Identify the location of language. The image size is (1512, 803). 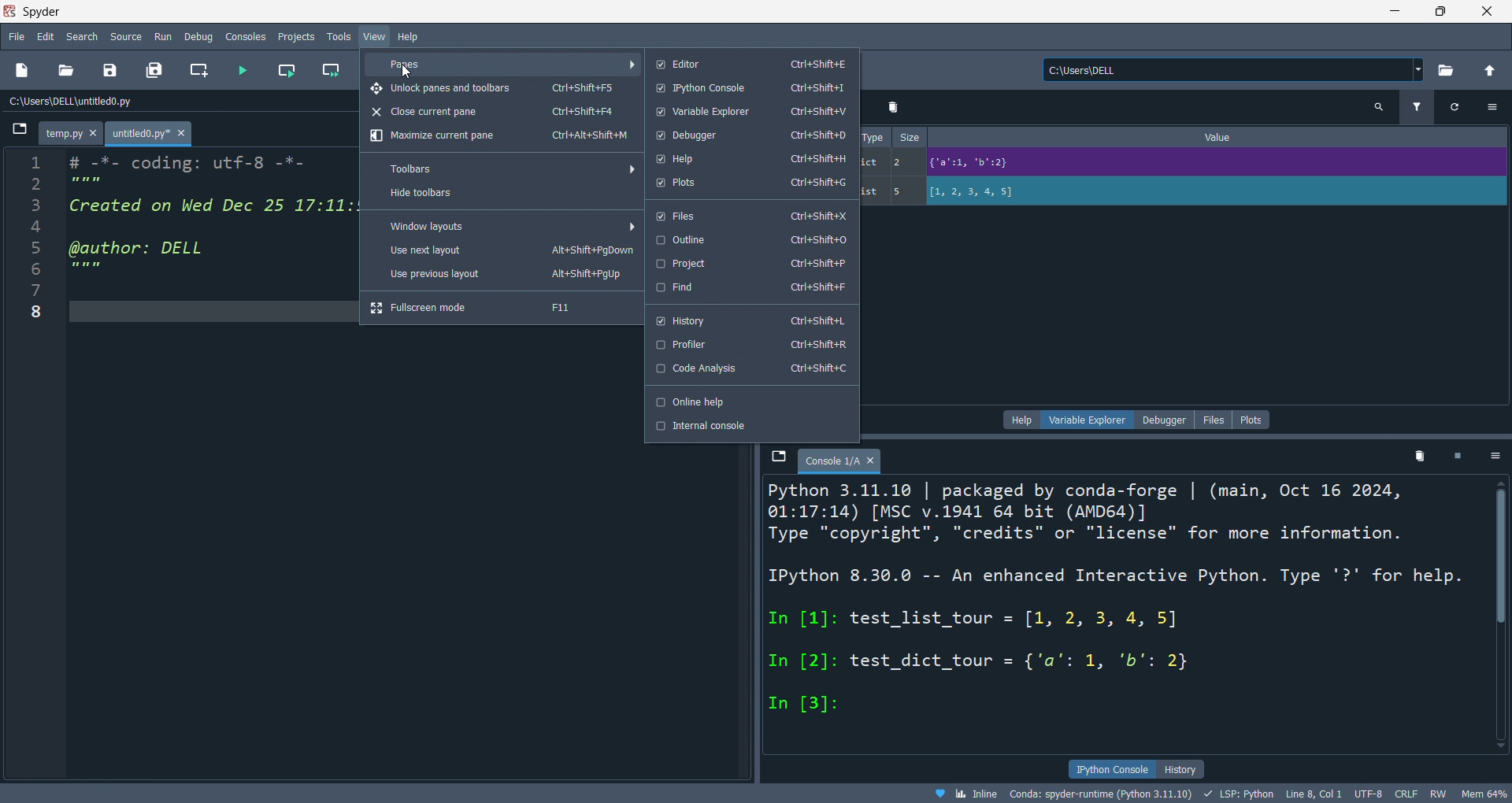
(1237, 794).